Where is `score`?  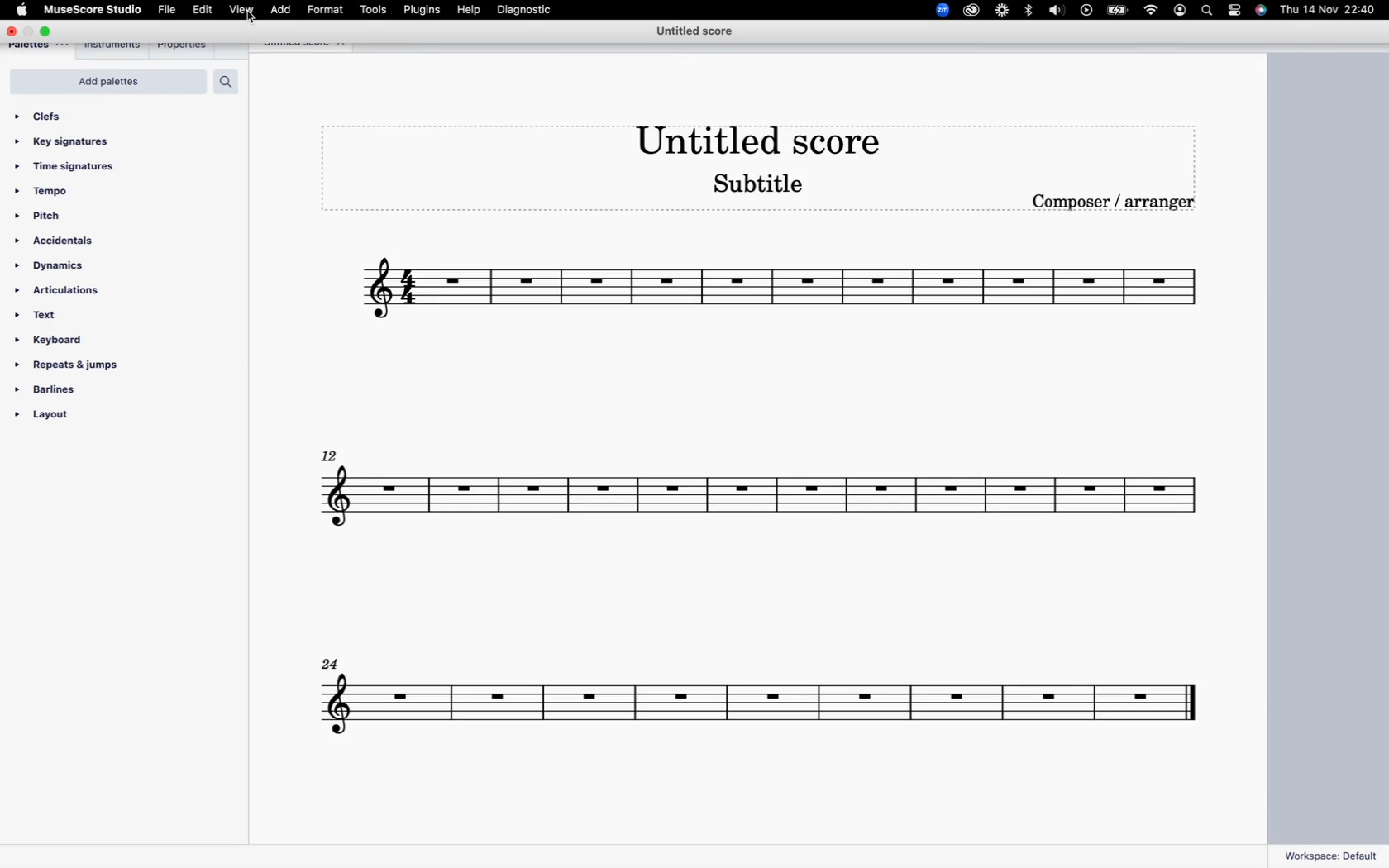 score is located at coordinates (760, 692).